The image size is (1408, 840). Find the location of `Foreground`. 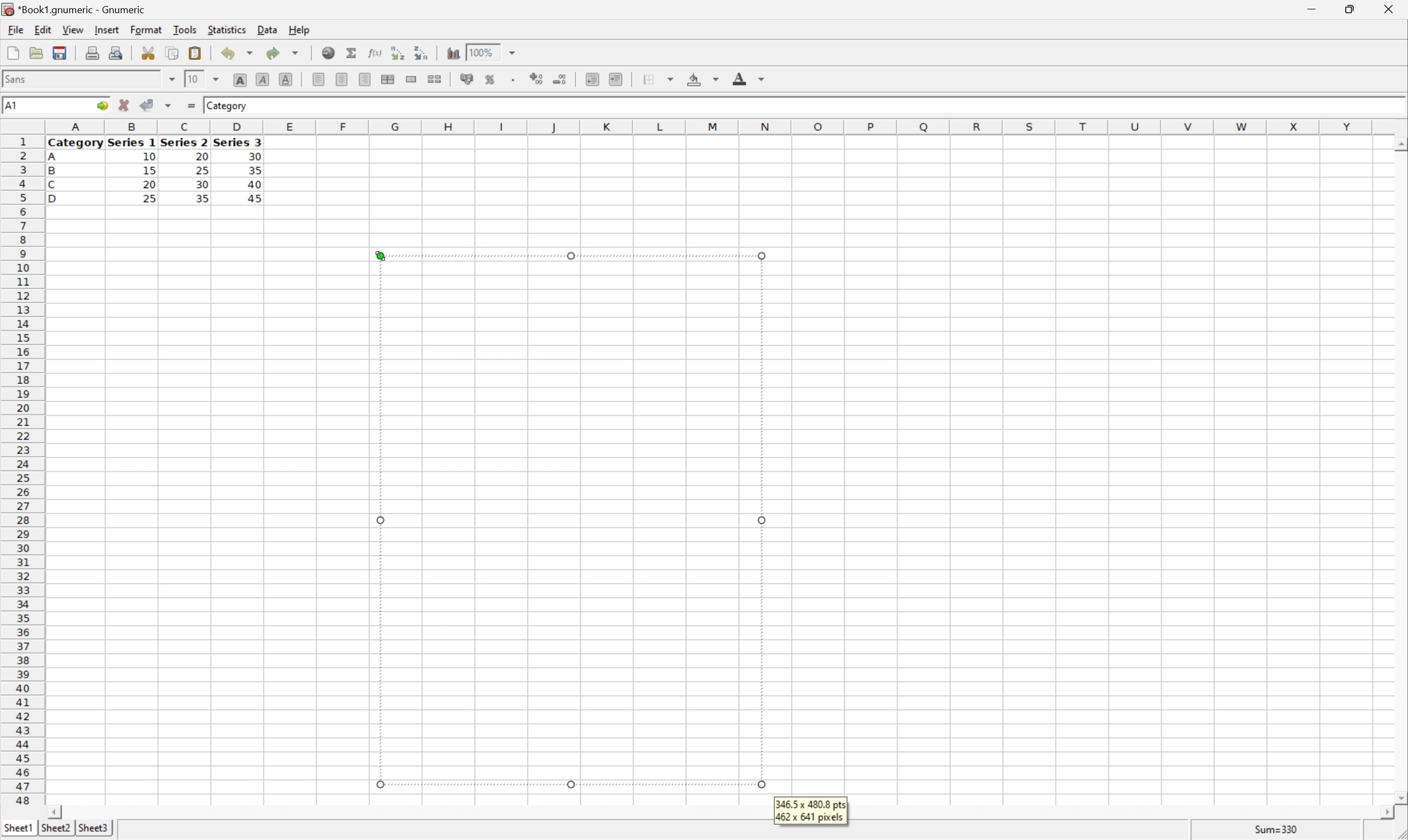

Foreground is located at coordinates (747, 77).